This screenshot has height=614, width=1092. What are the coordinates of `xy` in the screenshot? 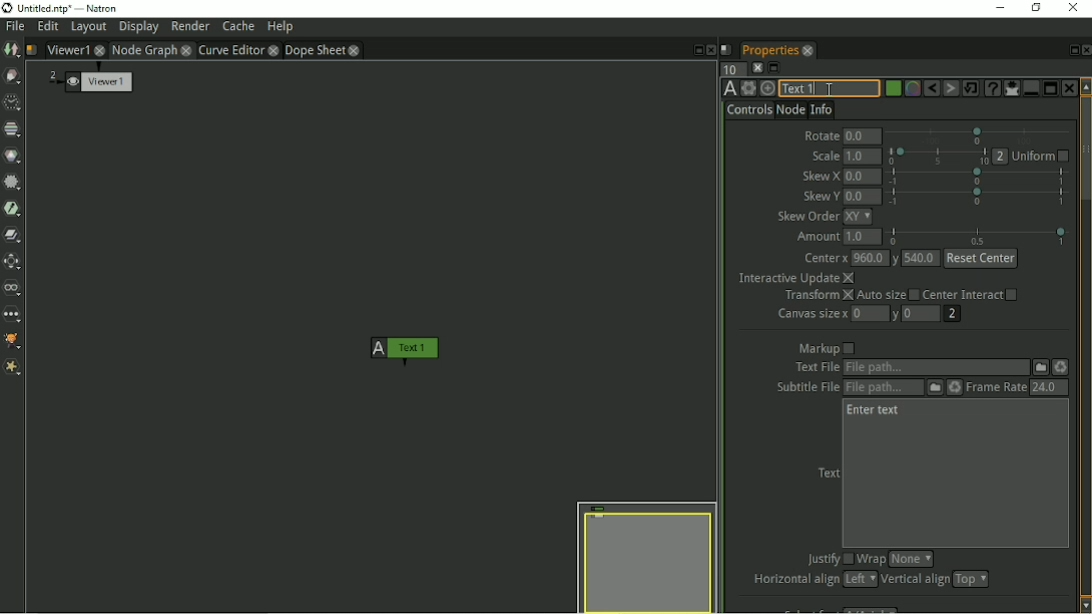 It's located at (858, 216).